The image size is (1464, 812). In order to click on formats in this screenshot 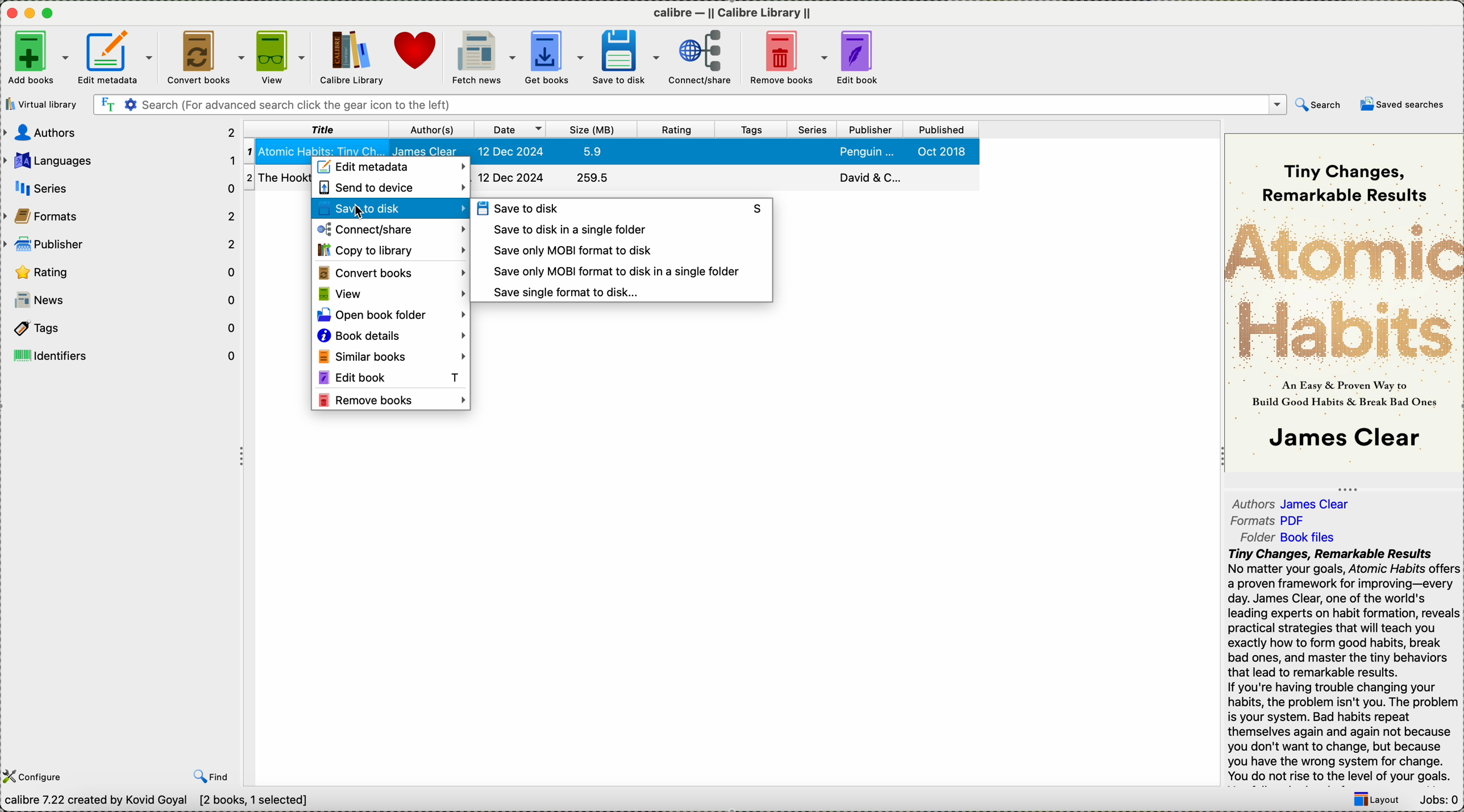, I will do `click(122, 216)`.